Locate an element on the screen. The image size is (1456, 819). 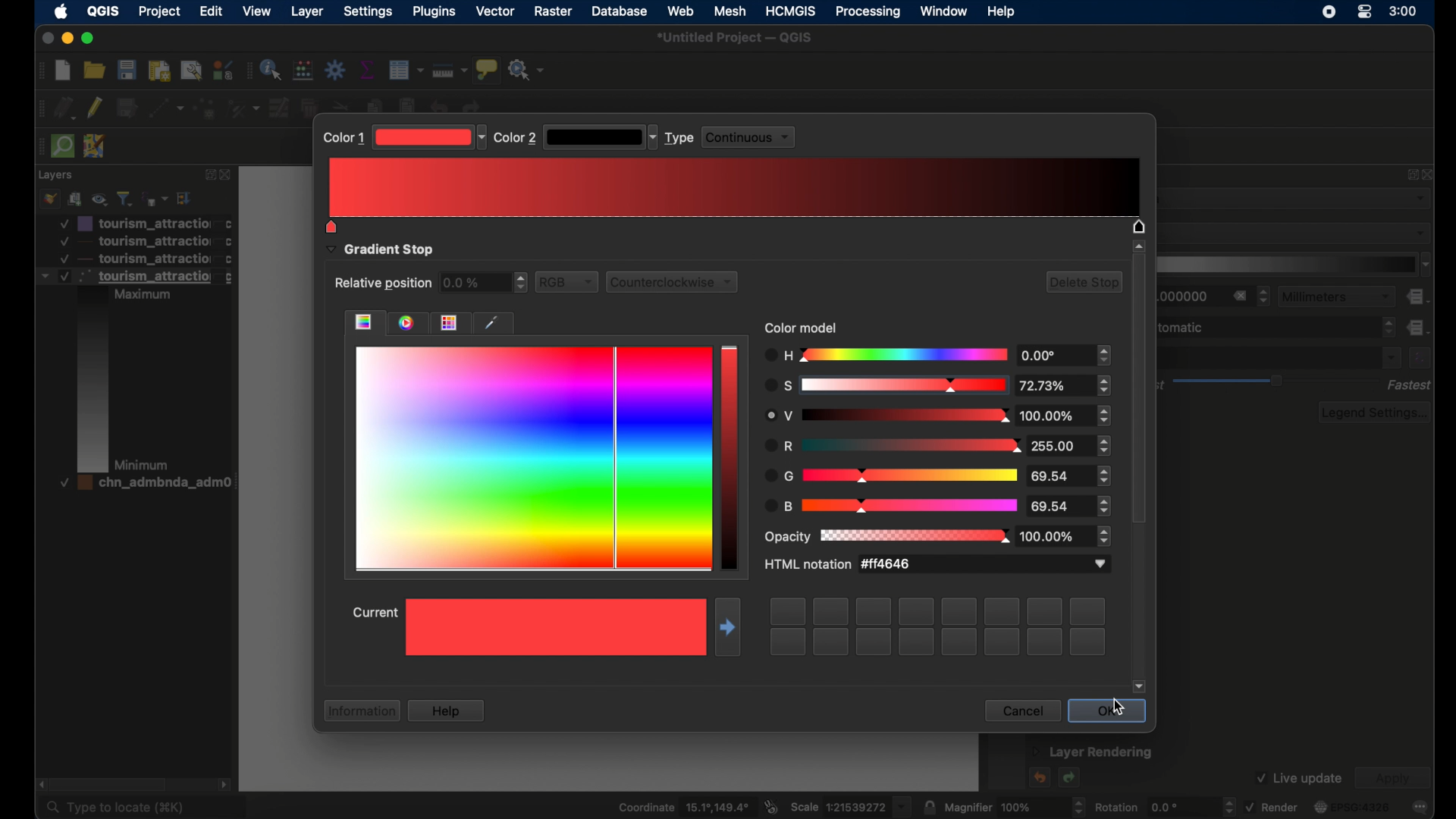
scroll box is located at coordinates (1141, 394).